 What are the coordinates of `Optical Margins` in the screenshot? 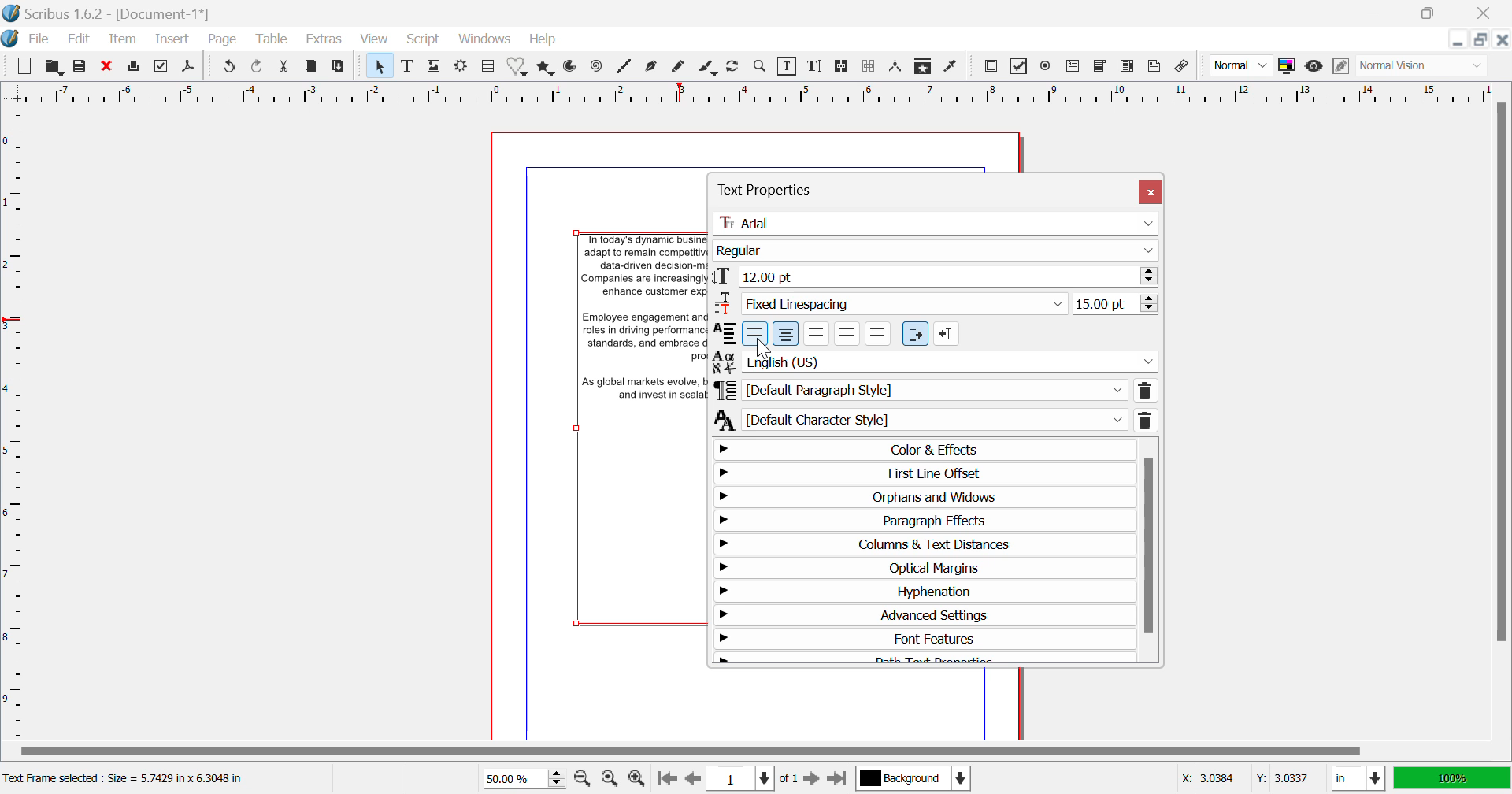 It's located at (925, 570).